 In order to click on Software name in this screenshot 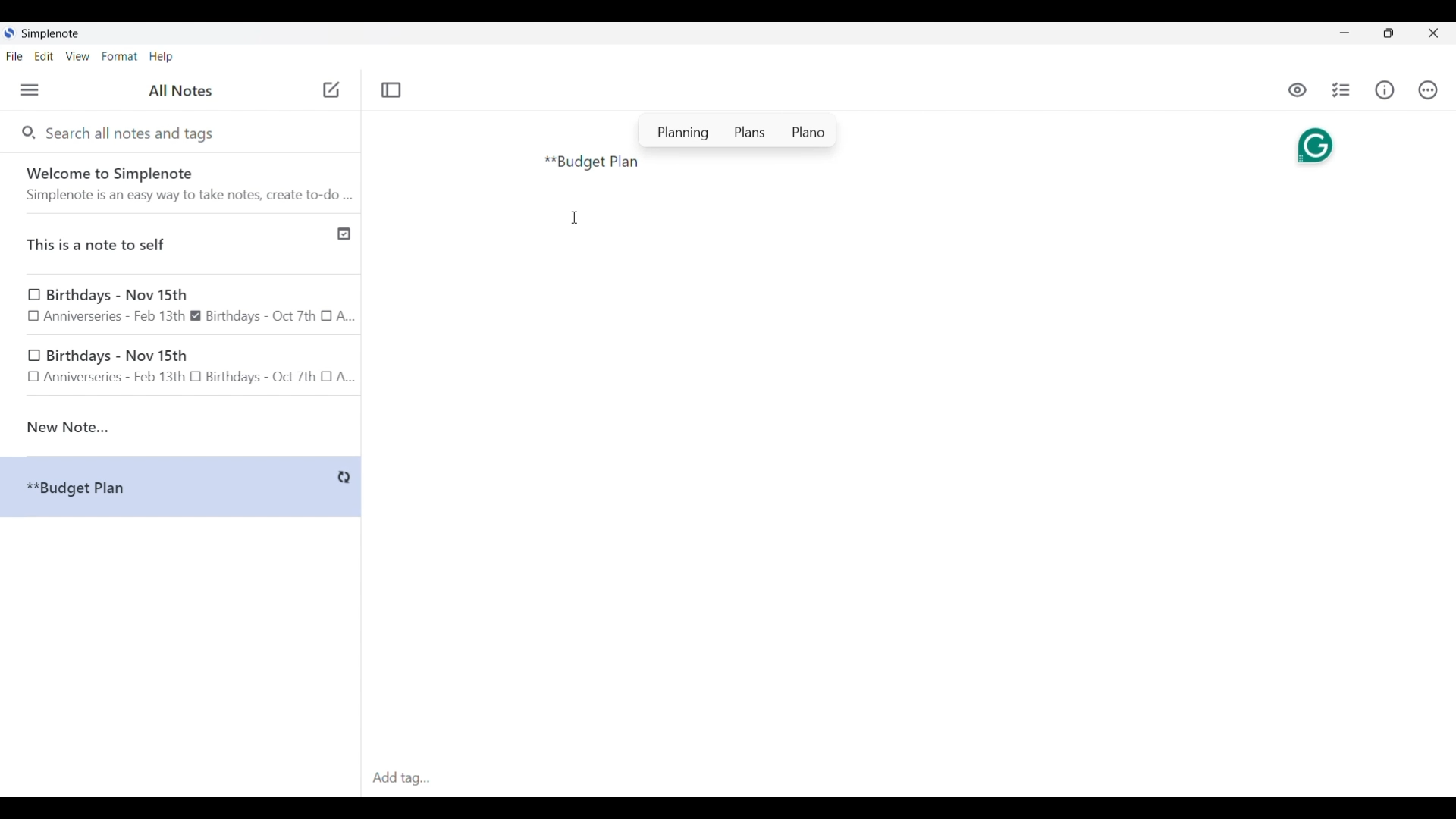, I will do `click(52, 34)`.